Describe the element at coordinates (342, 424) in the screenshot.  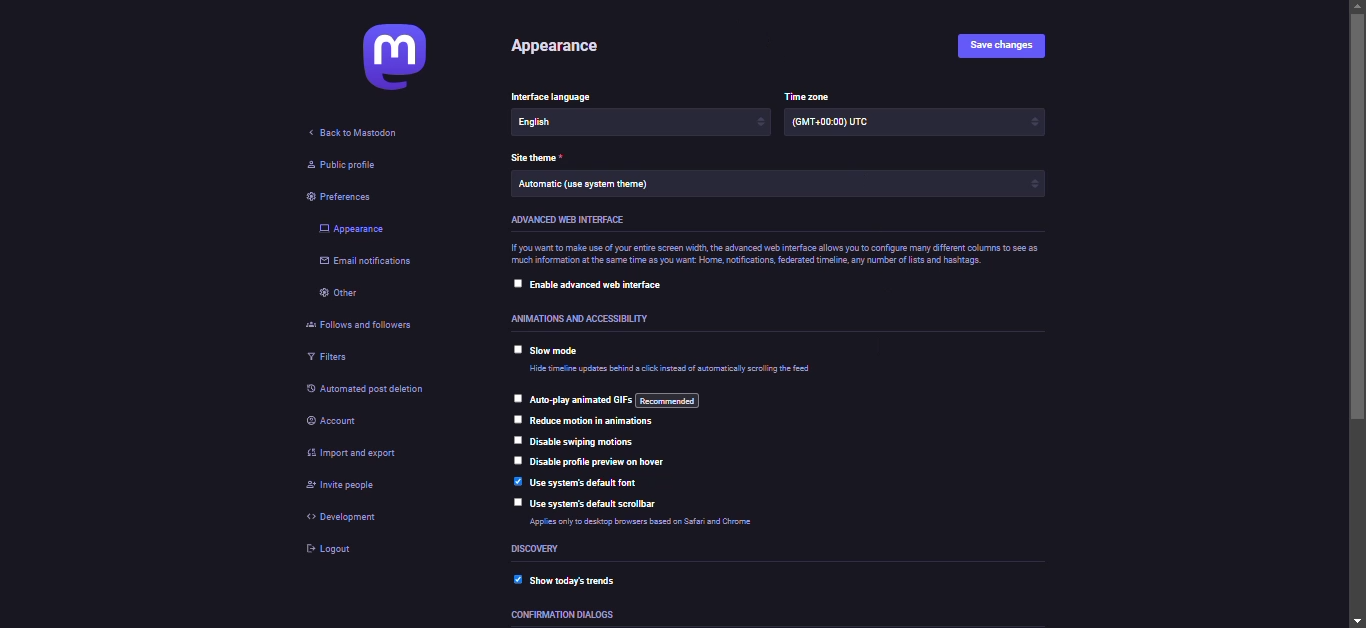
I see `account` at that location.